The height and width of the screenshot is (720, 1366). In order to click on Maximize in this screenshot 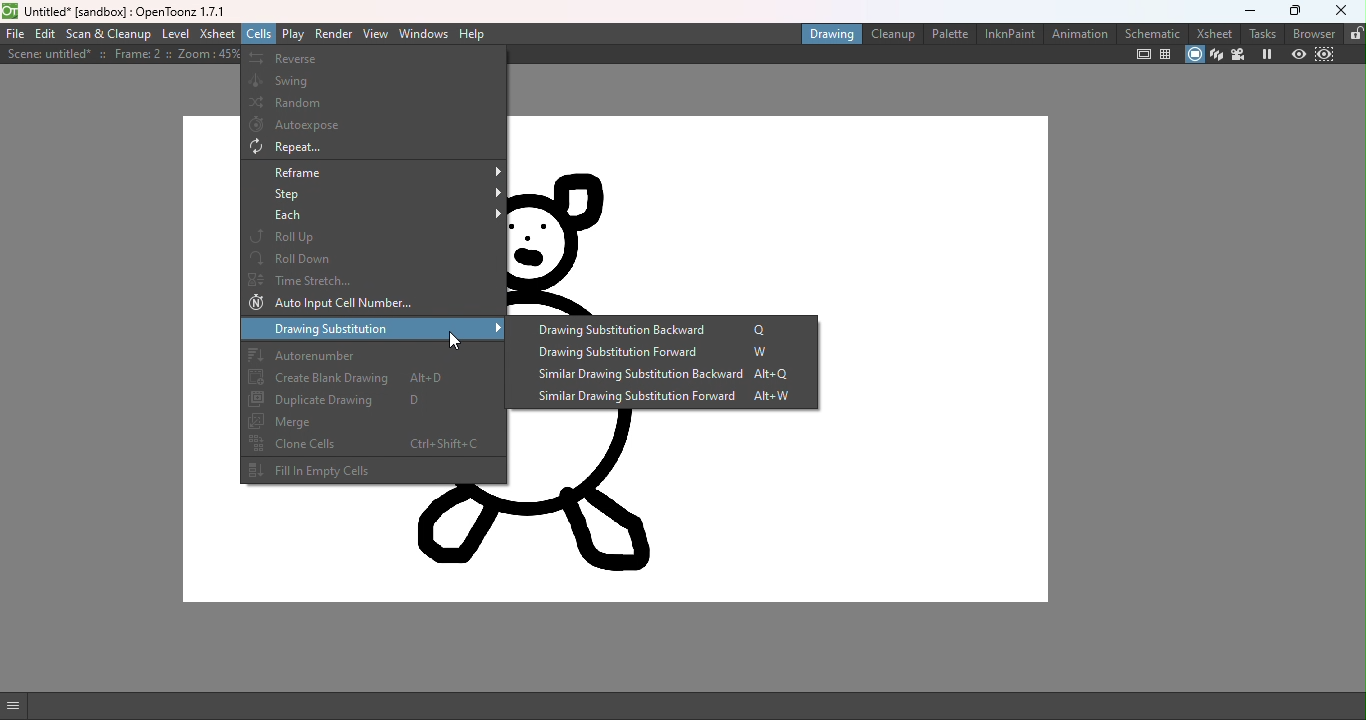, I will do `click(1298, 9)`.